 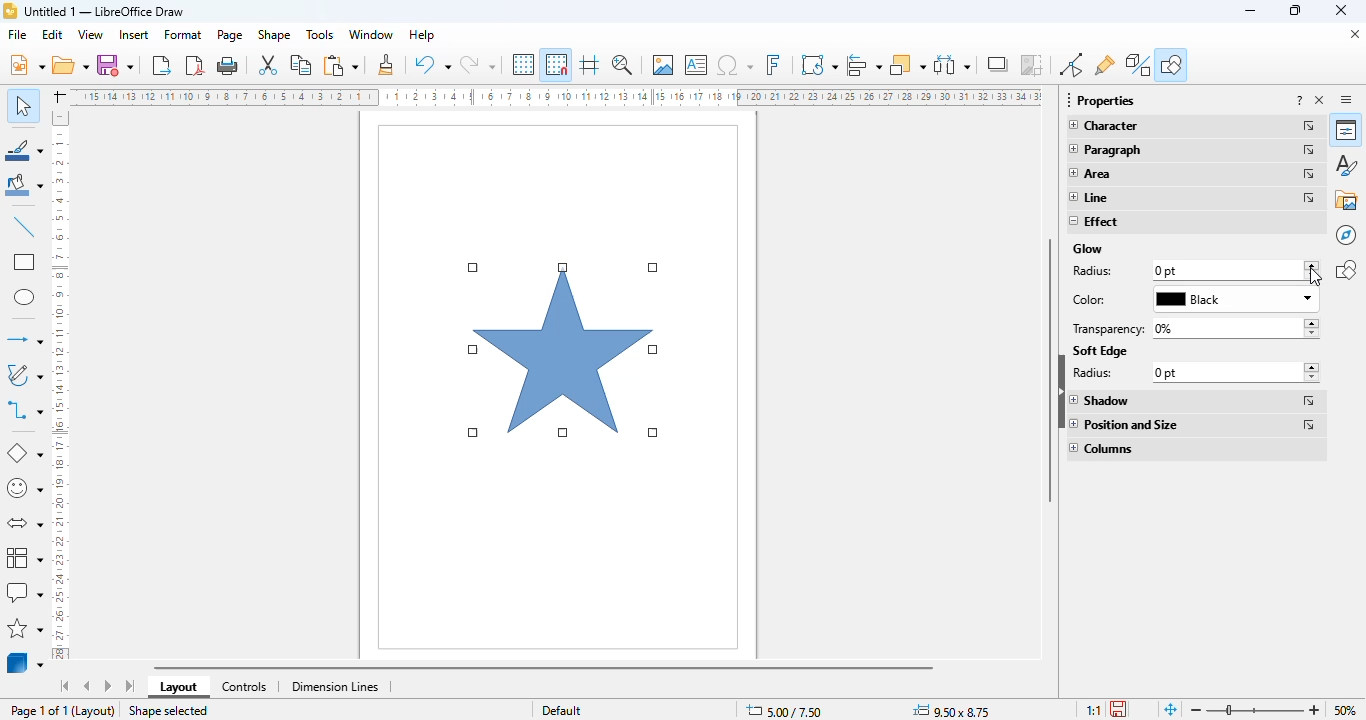 I want to click on o pt, so click(x=1202, y=270).